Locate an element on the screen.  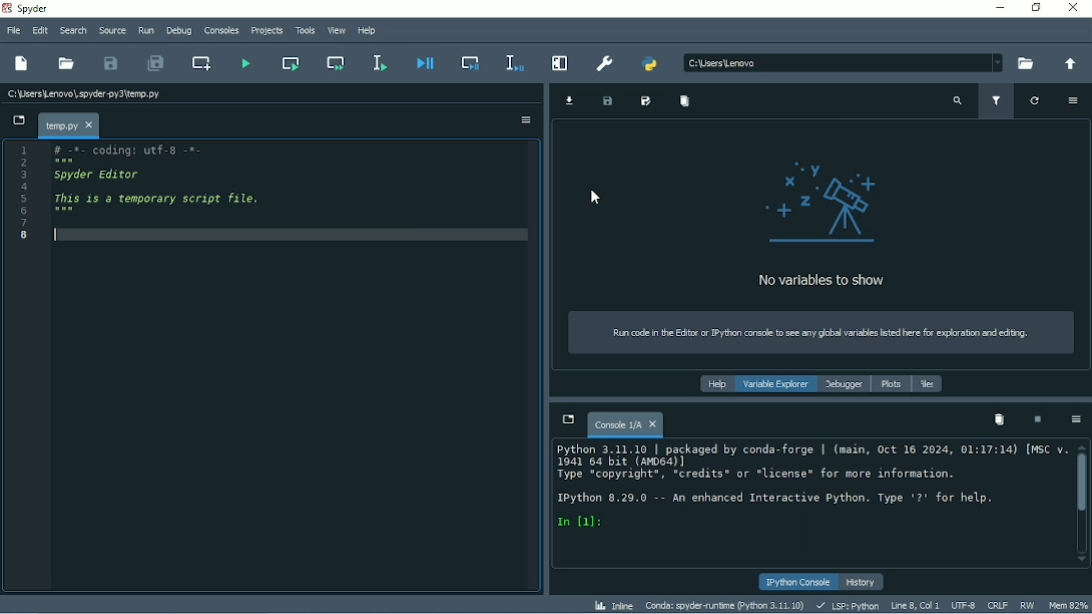
Serial numbers is located at coordinates (25, 194).